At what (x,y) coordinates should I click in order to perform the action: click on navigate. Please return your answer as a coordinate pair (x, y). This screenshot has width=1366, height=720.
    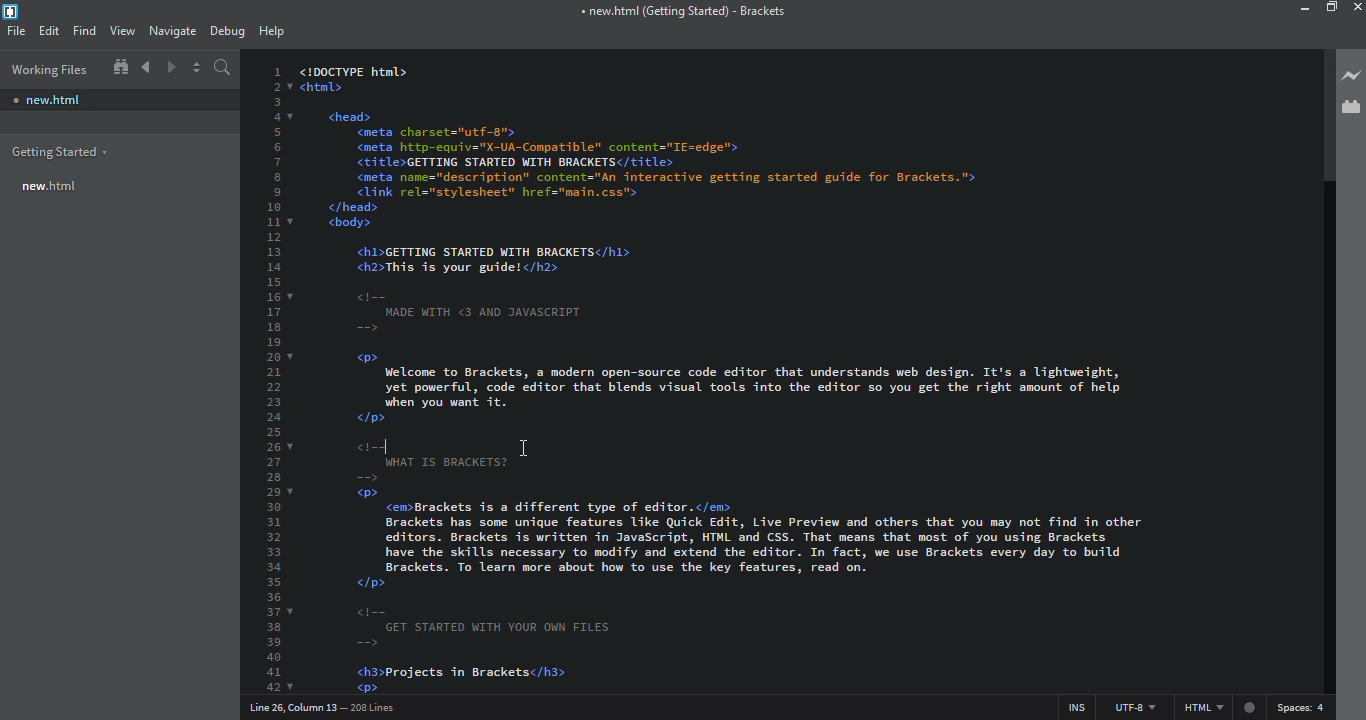
    Looking at the image, I should click on (171, 31).